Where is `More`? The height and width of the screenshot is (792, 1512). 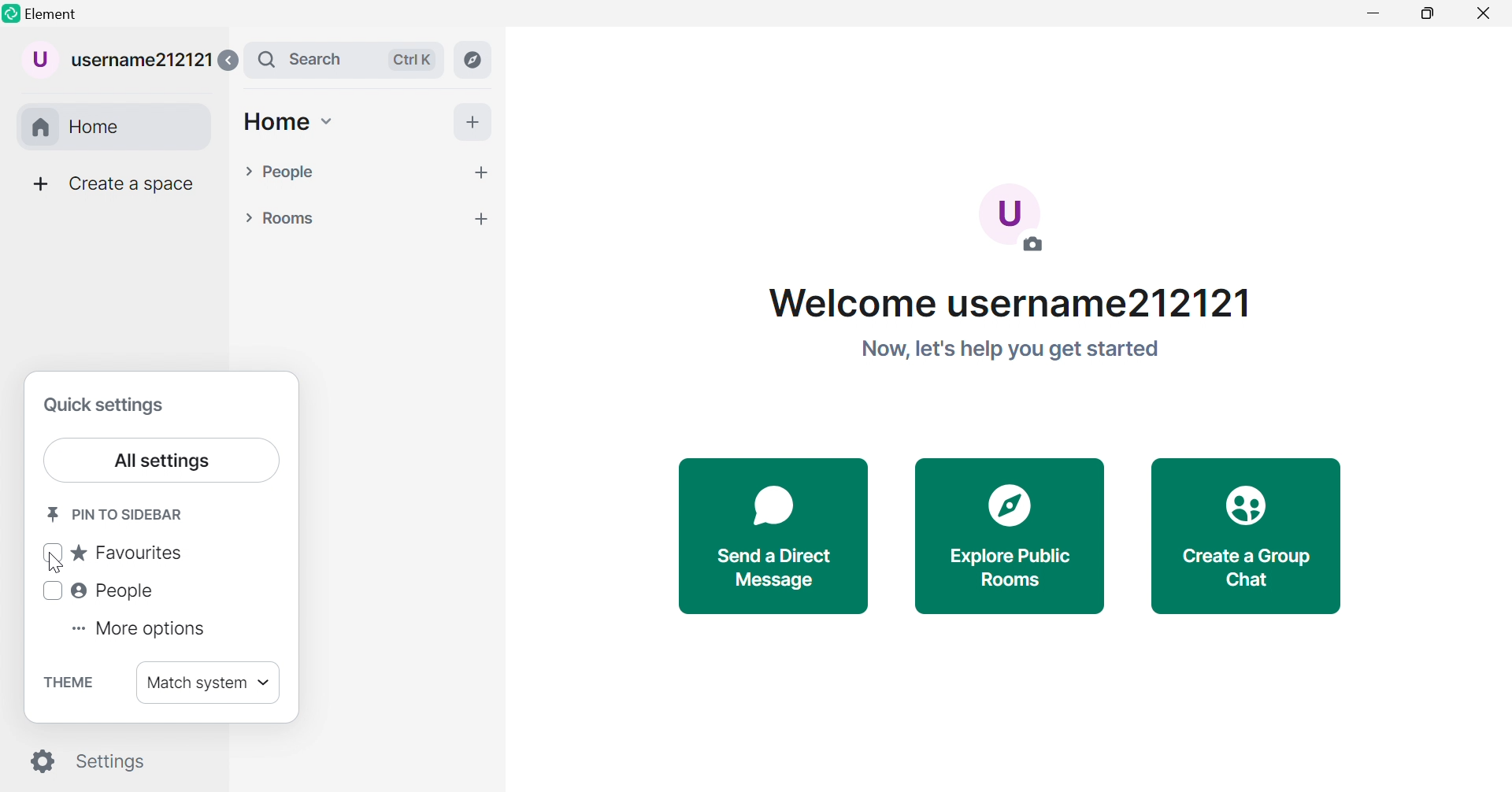 More is located at coordinates (39, 184).